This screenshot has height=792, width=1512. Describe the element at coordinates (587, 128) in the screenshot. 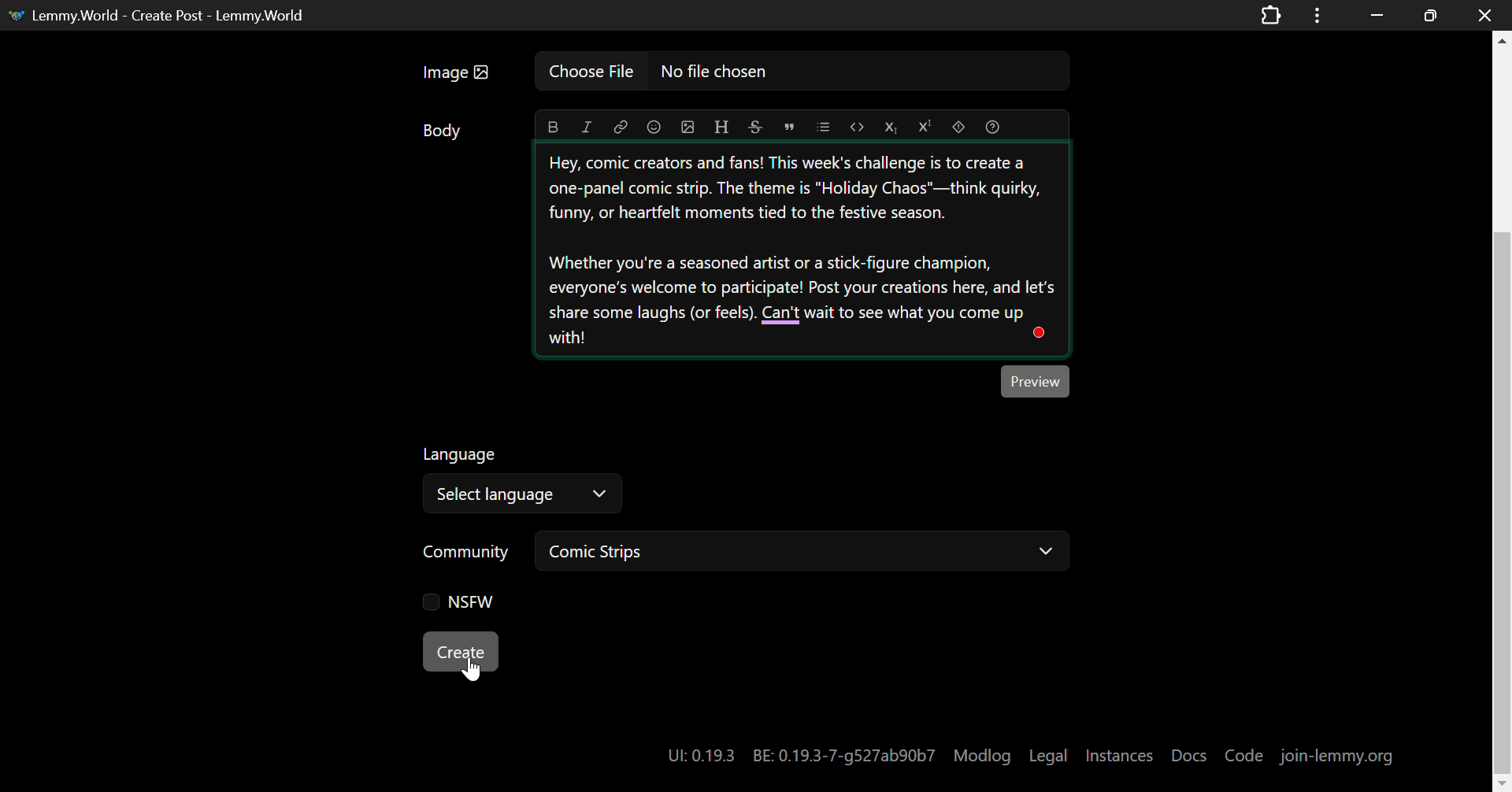

I see `italic` at that location.